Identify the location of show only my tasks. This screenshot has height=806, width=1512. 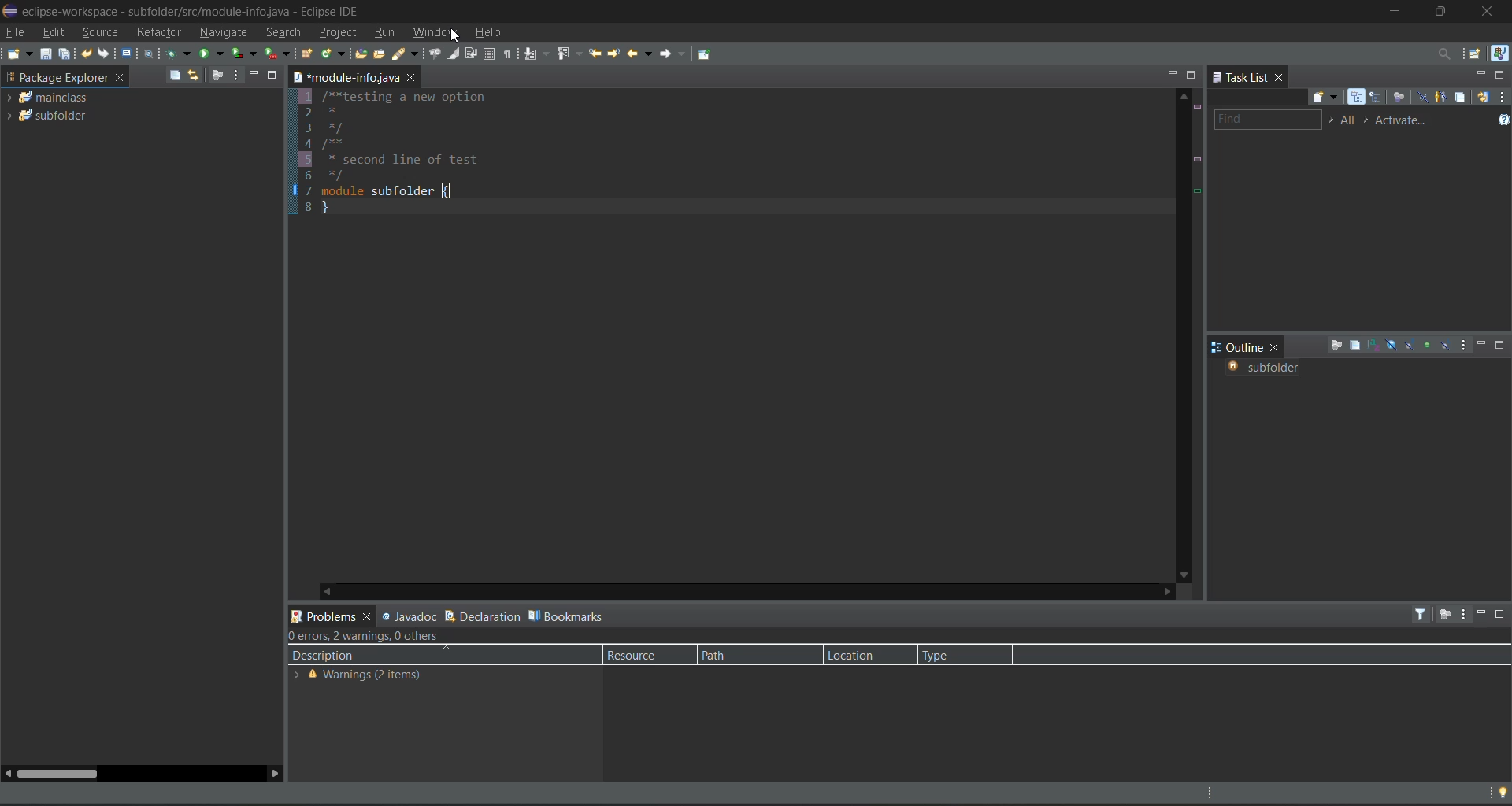
(1442, 98).